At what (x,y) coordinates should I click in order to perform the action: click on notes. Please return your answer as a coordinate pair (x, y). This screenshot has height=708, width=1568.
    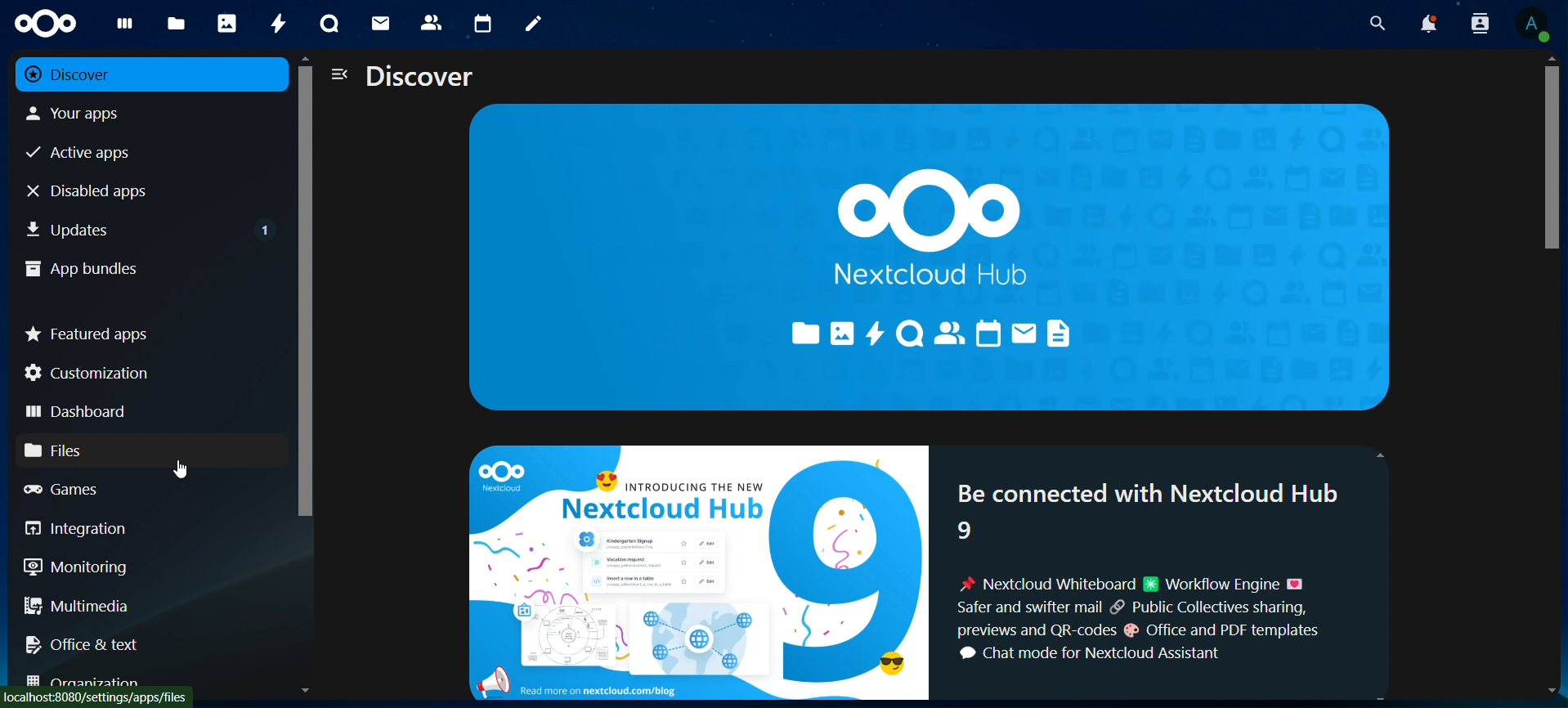
    Looking at the image, I should click on (531, 25).